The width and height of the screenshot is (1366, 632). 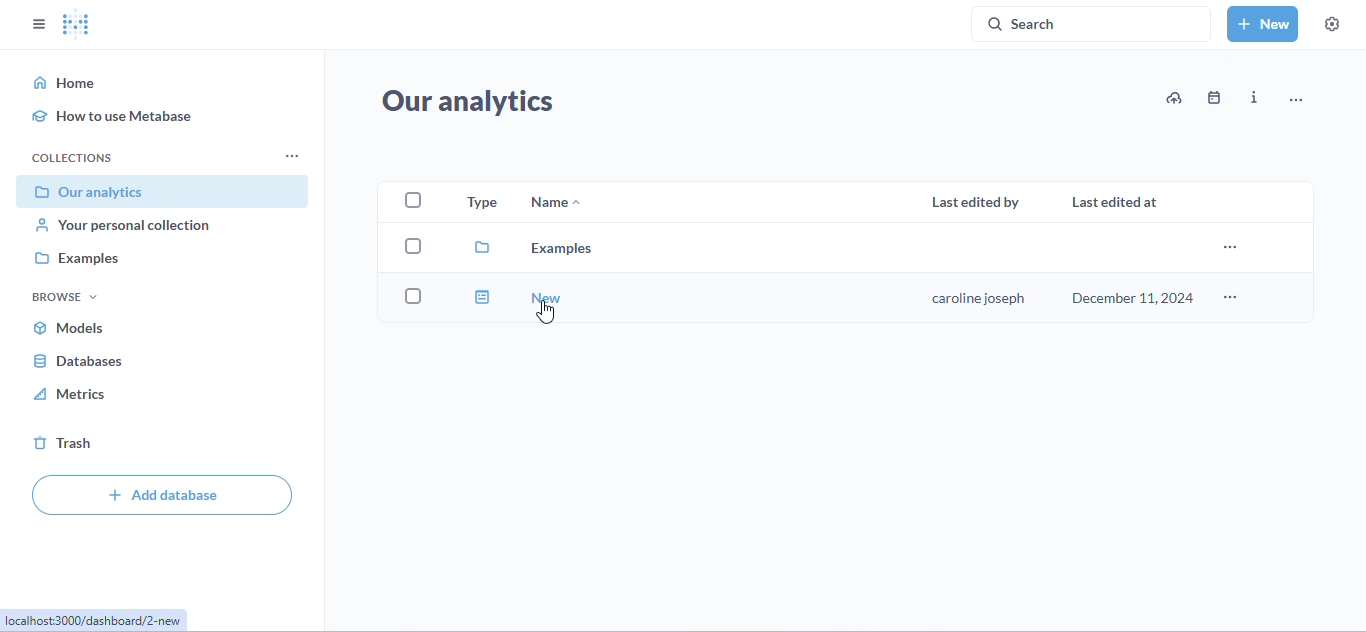 I want to click on select, so click(x=412, y=246).